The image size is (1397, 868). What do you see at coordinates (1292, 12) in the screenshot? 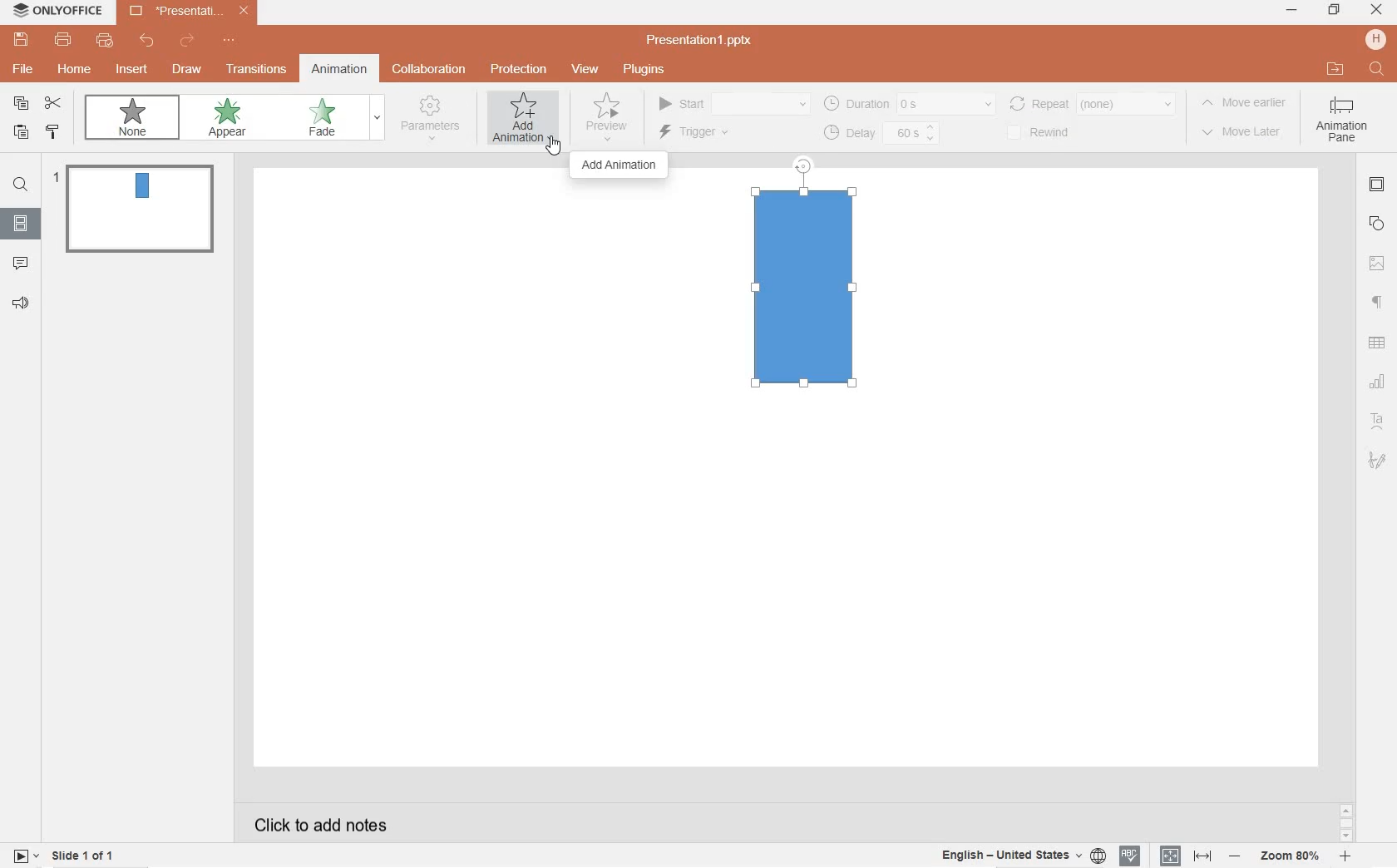
I see `MINIMIZE` at bounding box center [1292, 12].